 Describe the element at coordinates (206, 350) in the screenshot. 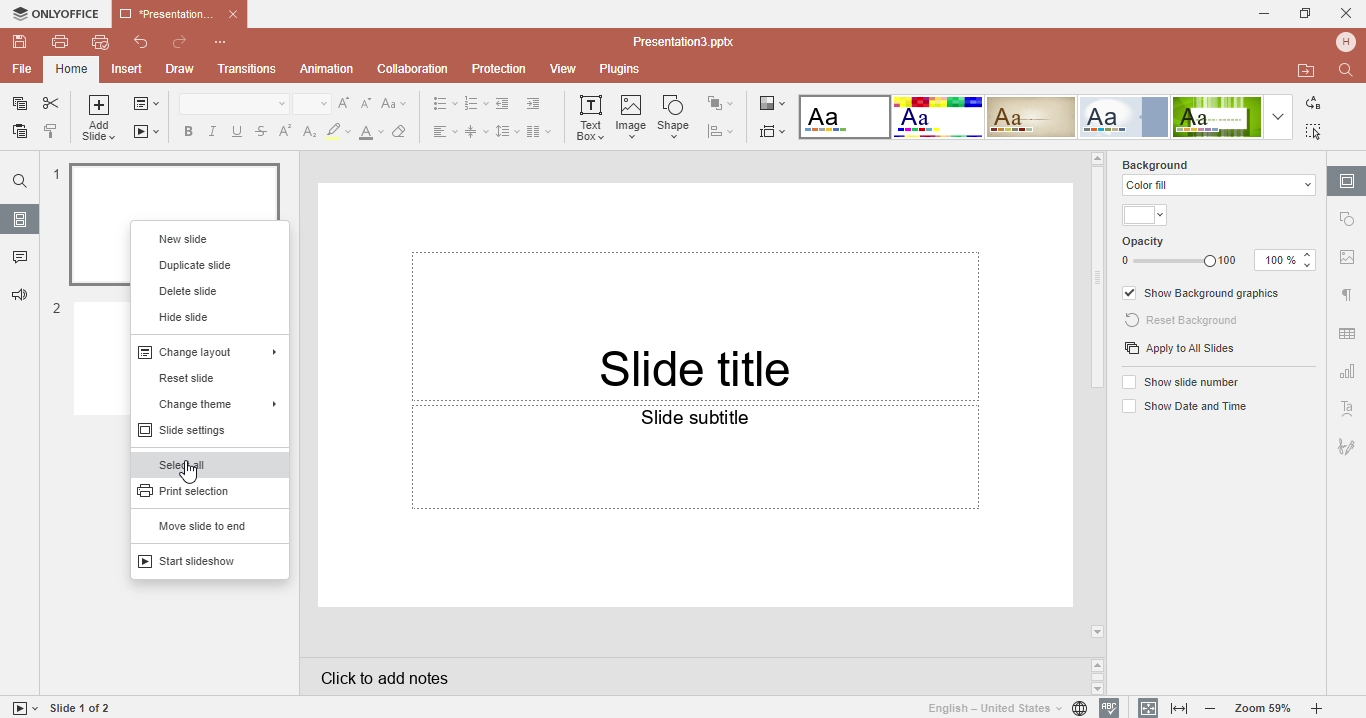

I see `Change layout` at that location.